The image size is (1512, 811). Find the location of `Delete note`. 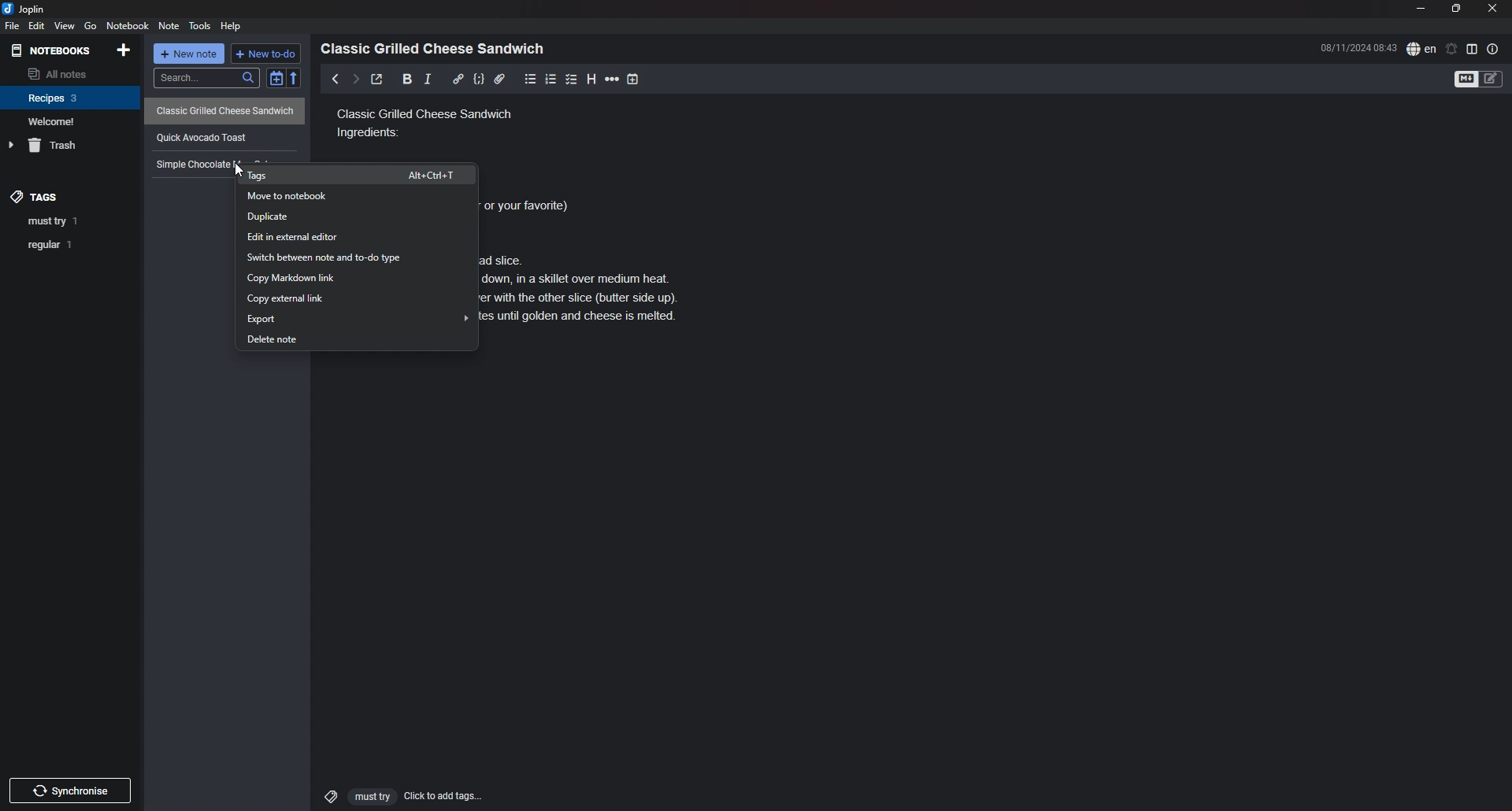

Delete note is located at coordinates (353, 339).